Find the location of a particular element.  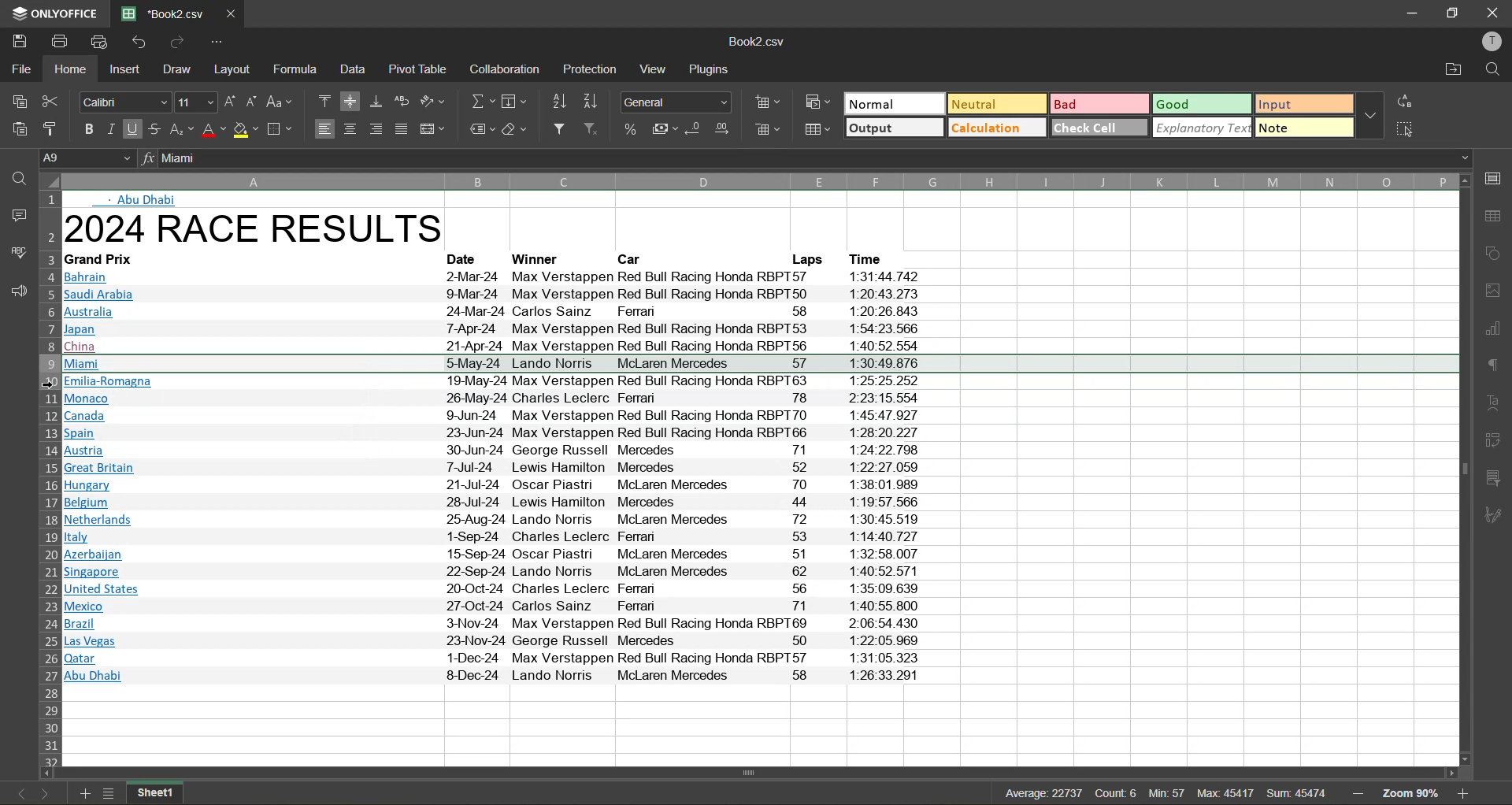

text is located at coordinates (1497, 402).